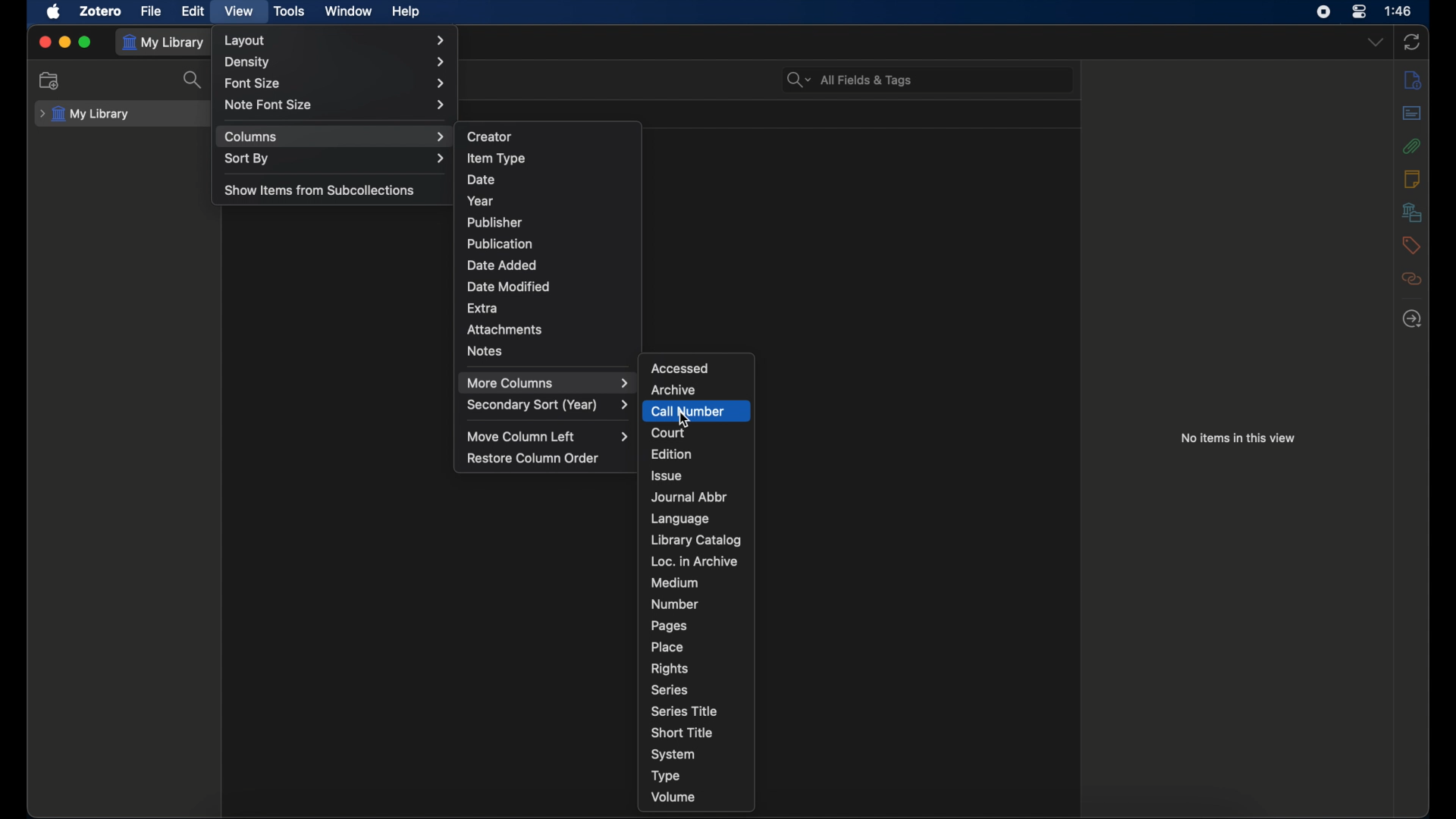 The image size is (1456, 819). What do you see at coordinates (194, 80) in the screenshot?
I see `search` at bounding box center [194, 80].